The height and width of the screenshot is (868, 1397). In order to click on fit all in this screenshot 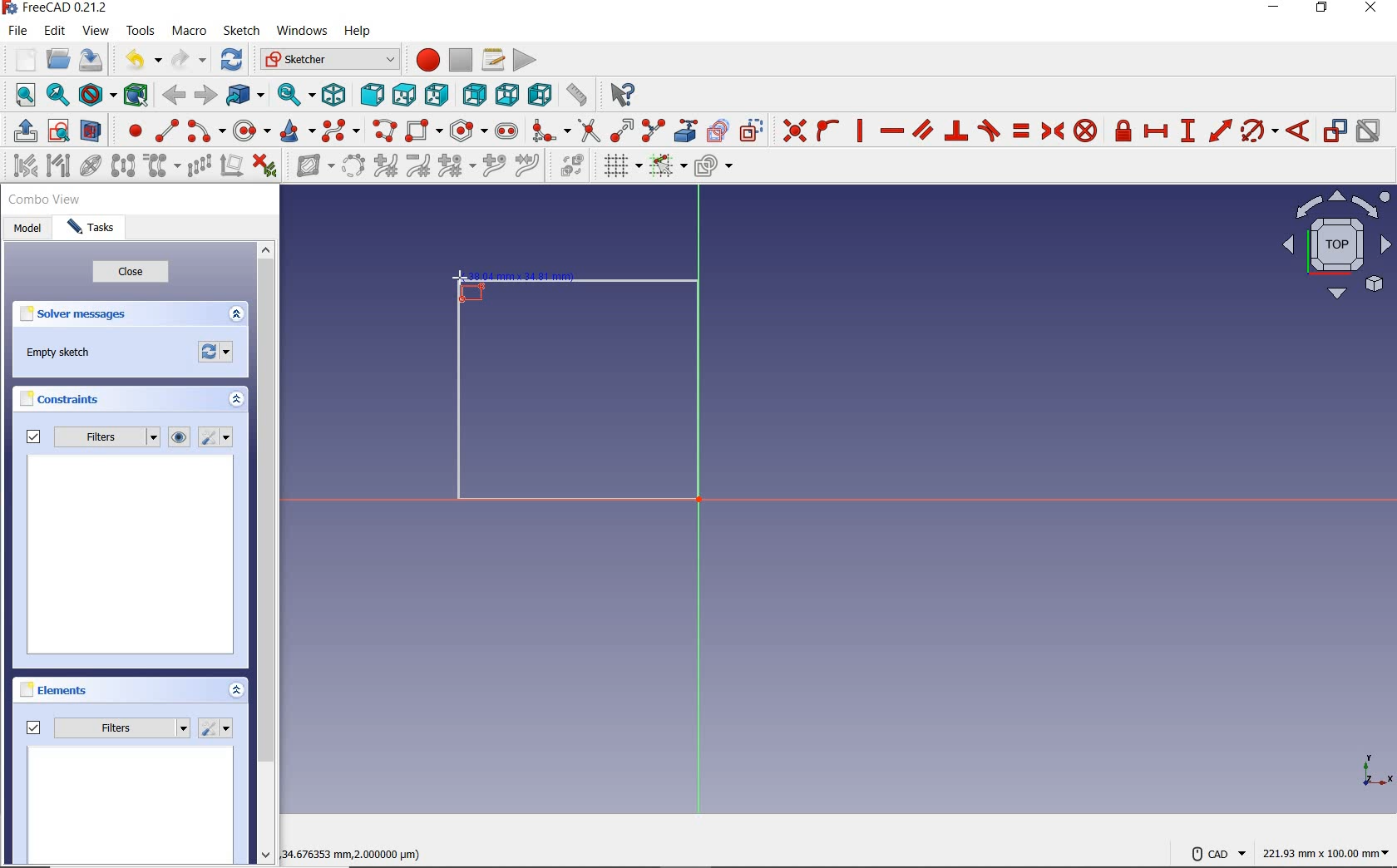, I will do `click(21, 94)`.